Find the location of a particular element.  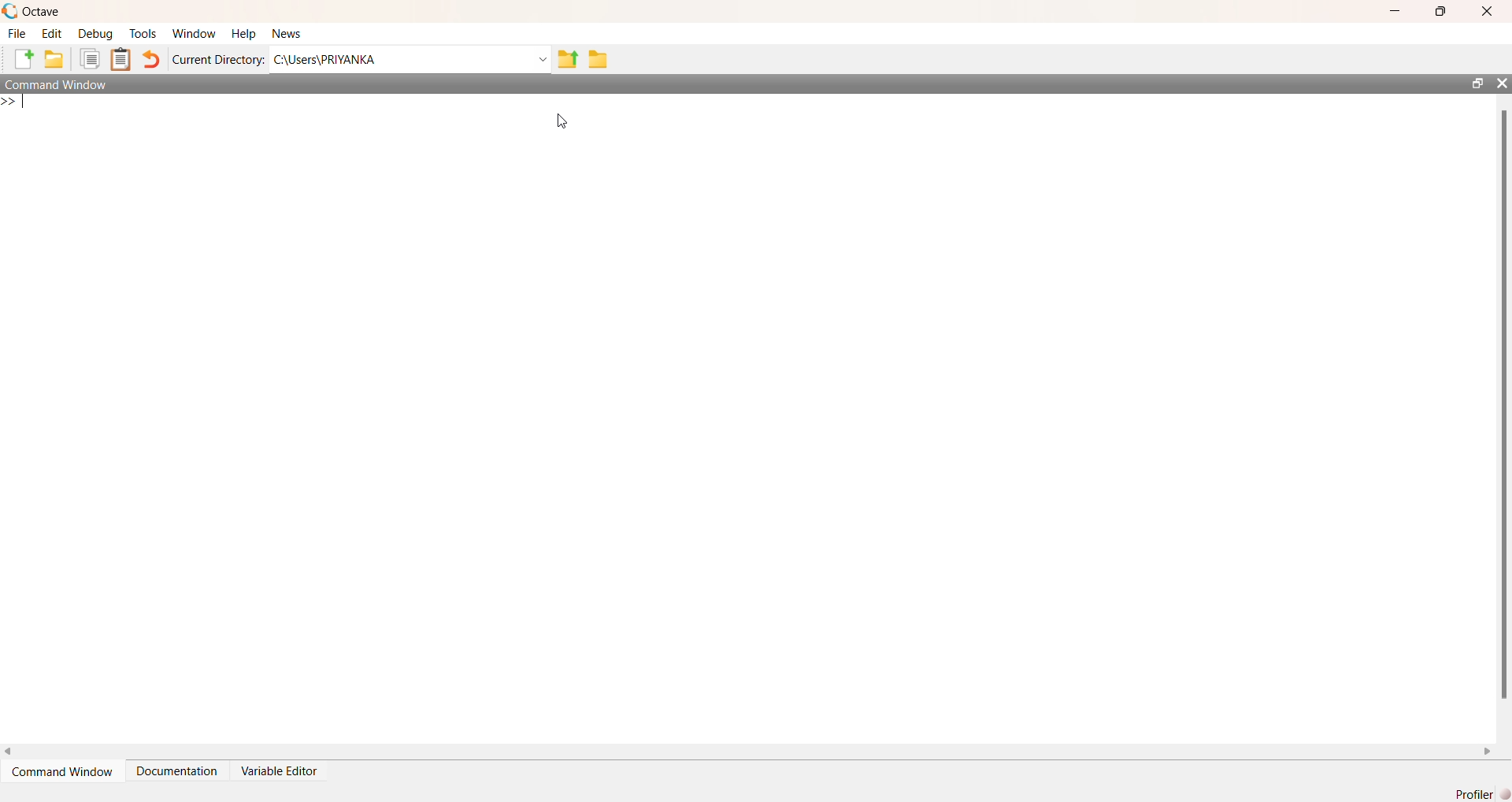

debug is located at coordinates (94, 35).